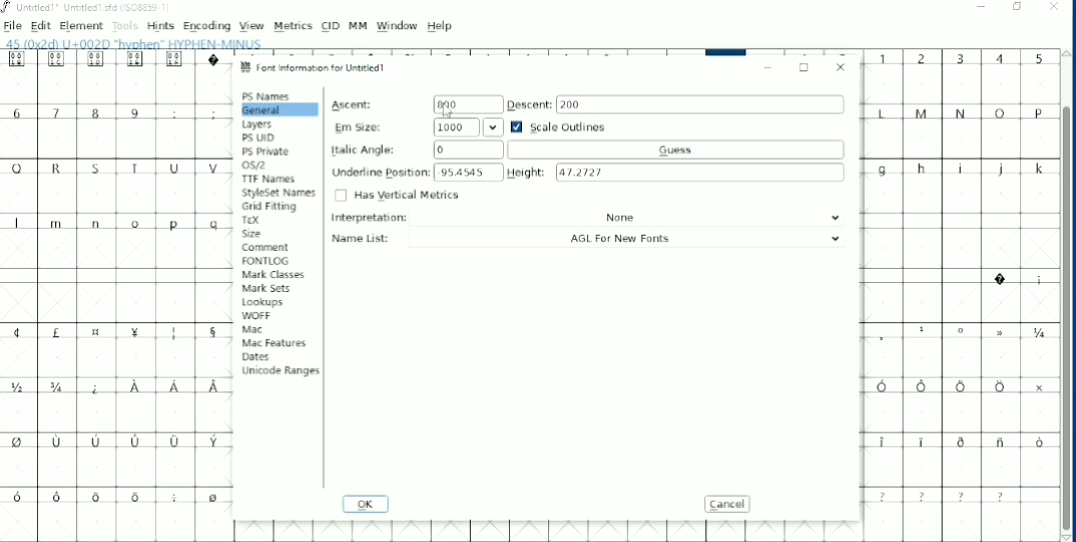 The image size is (1076, 542). Describe the element at coordinates (255, 233) in the screenshot. I see `Size` at that location.